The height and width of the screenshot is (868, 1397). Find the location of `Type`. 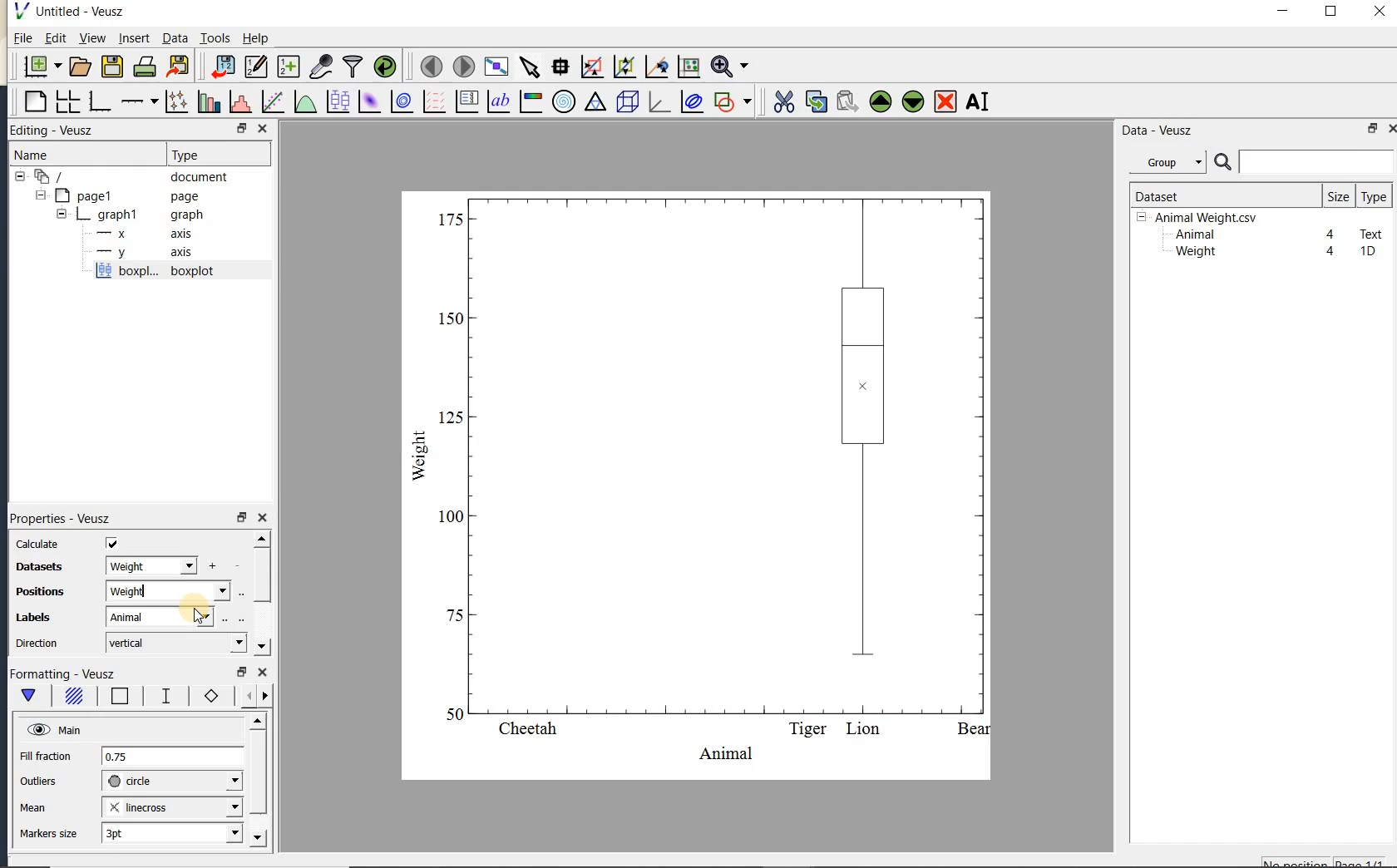

Type is located at coordinates (215, 153).